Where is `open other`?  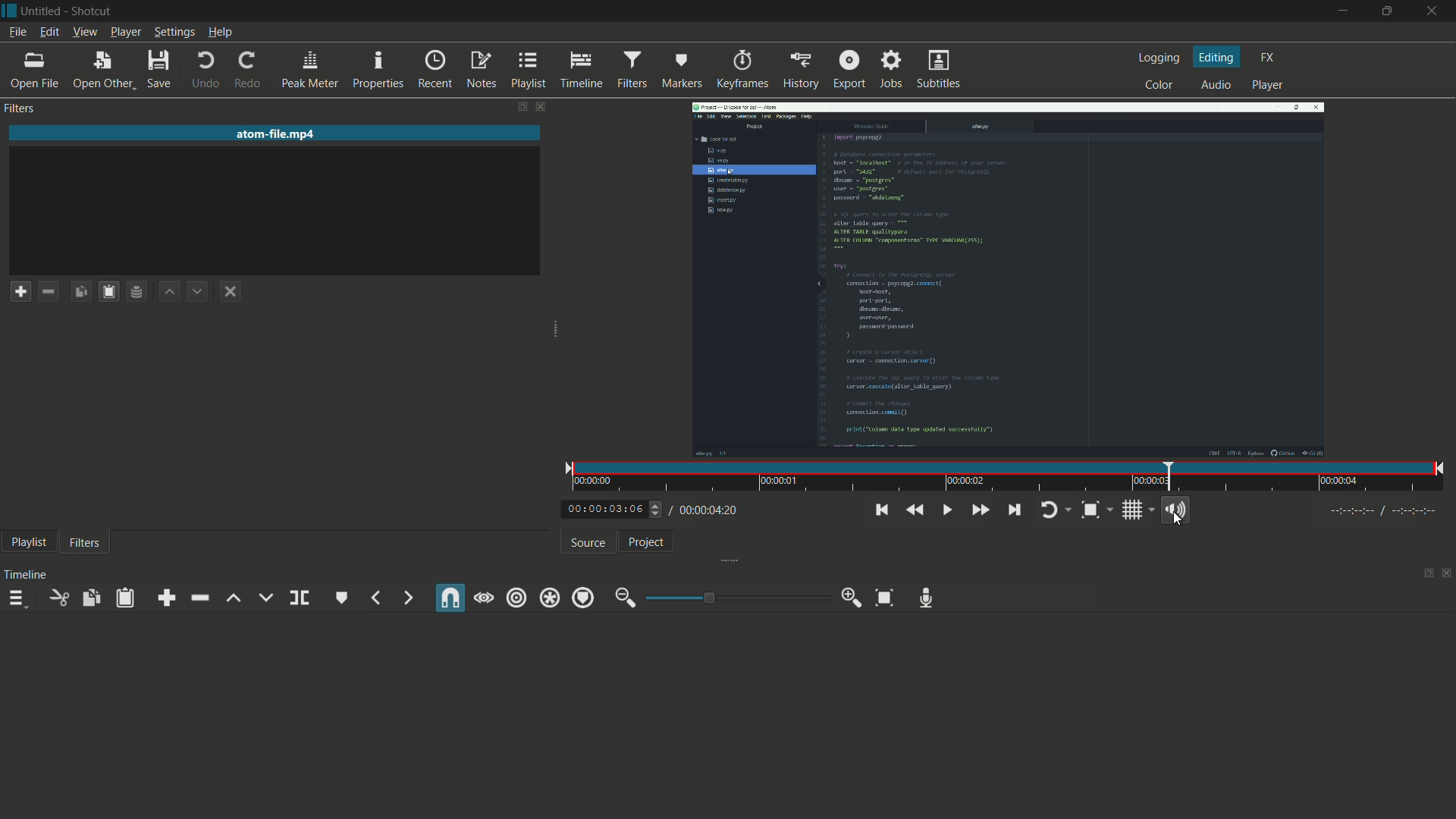
open other is located at coordinates (103, 71).